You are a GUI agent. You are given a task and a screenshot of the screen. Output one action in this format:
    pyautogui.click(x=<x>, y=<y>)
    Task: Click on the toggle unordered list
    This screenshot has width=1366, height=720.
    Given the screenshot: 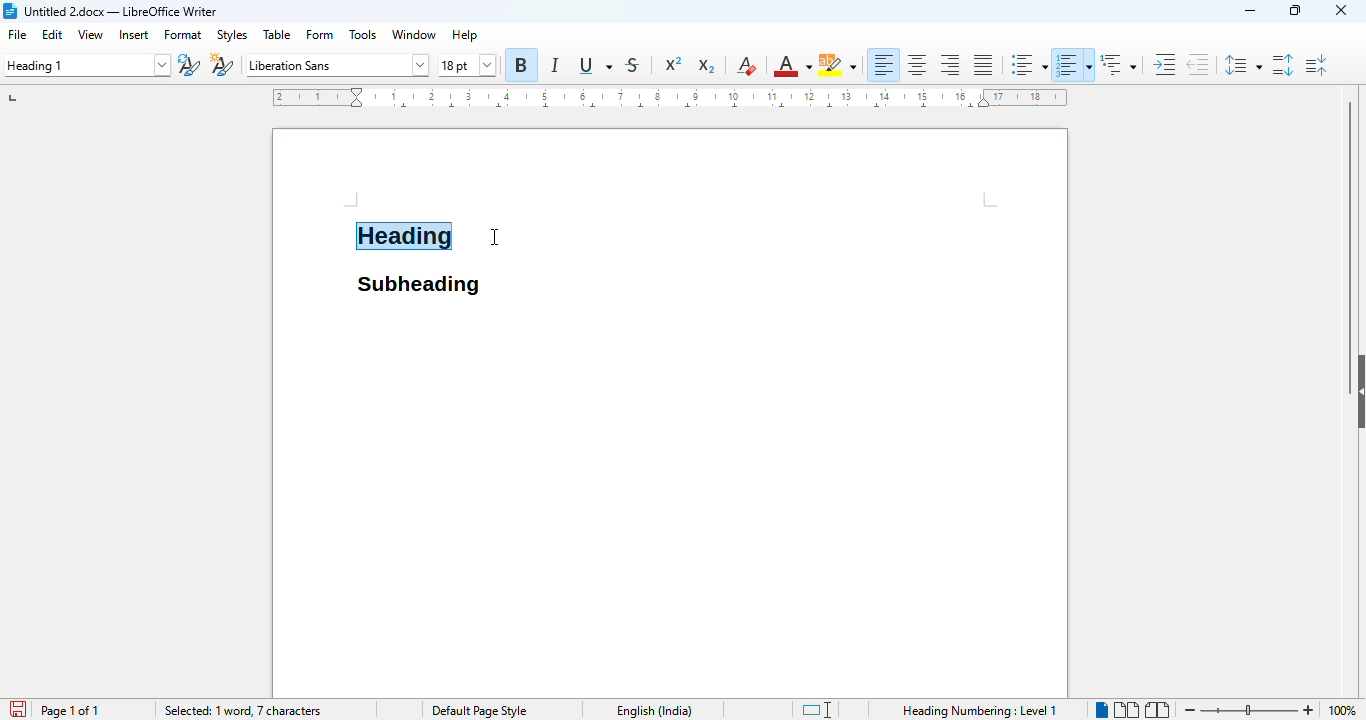 What is the action you would take?
    pyautogui.click(x=1028, y=65)
    